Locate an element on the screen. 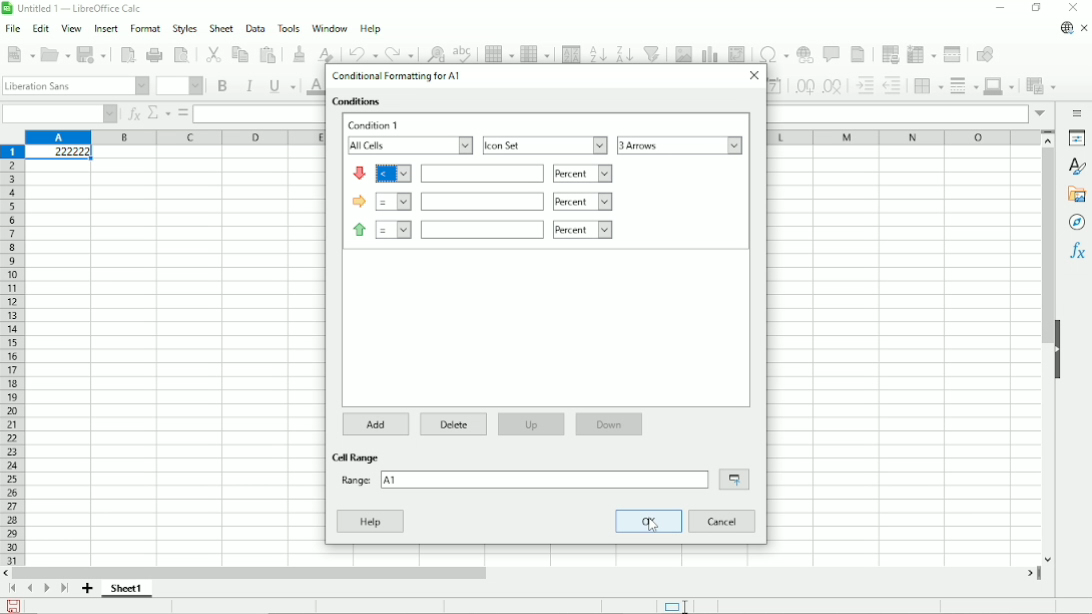 This screenshot has width=1092, height=614. Insert special characters is located at coordinates (771, 52).